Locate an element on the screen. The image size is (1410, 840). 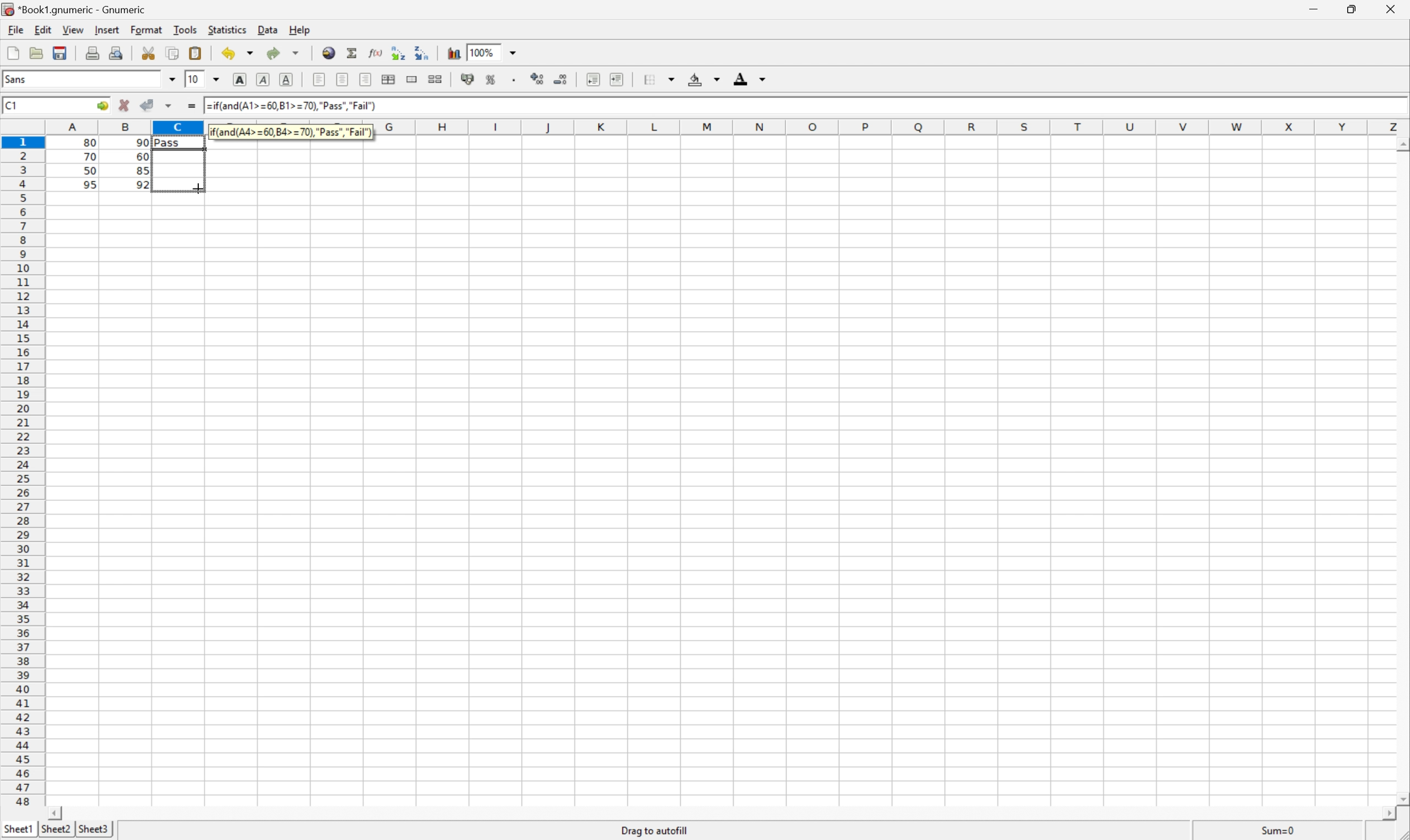
50 is located at coordinates (87, 172).